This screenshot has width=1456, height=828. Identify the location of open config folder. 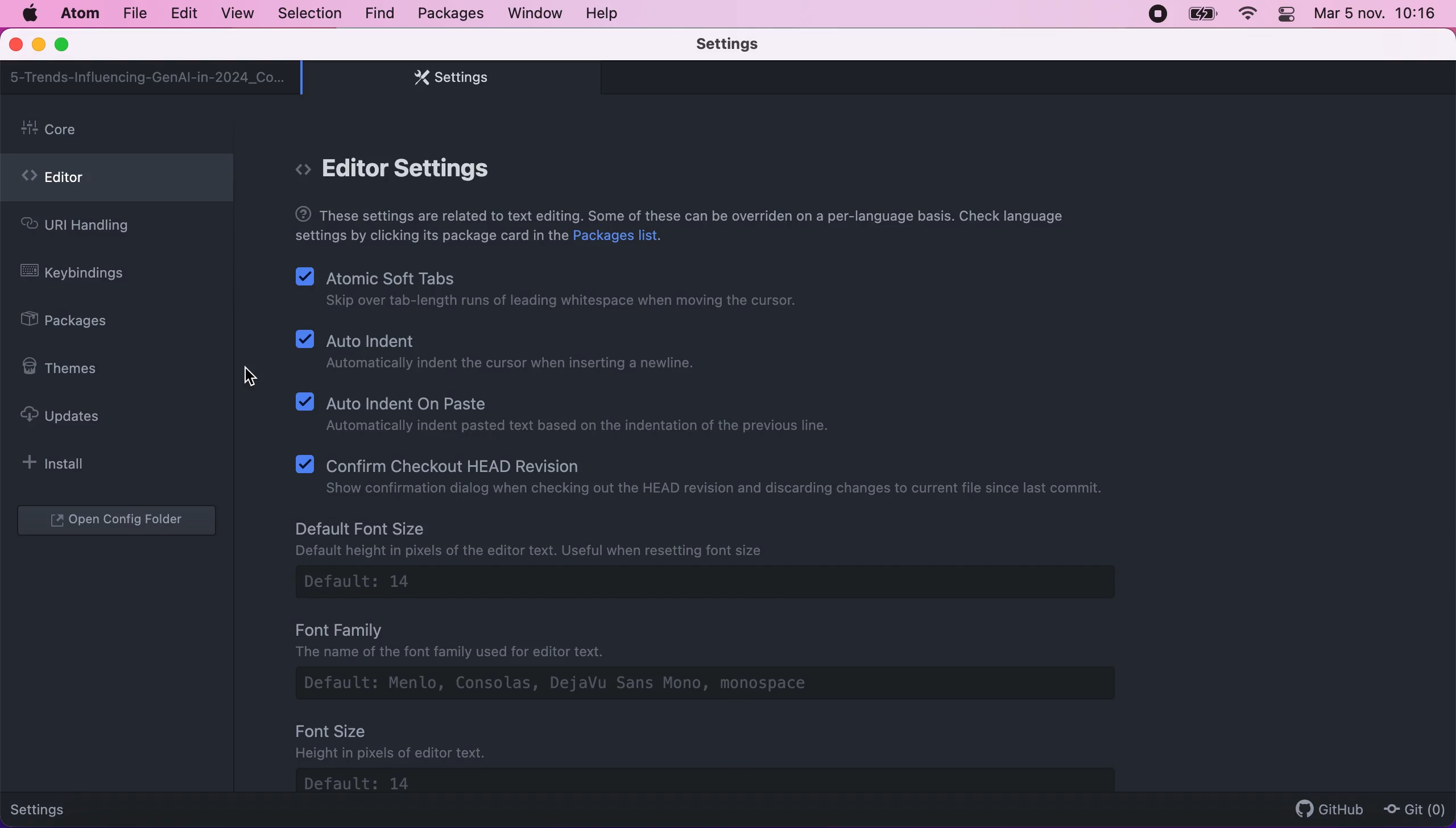
(119, 521).